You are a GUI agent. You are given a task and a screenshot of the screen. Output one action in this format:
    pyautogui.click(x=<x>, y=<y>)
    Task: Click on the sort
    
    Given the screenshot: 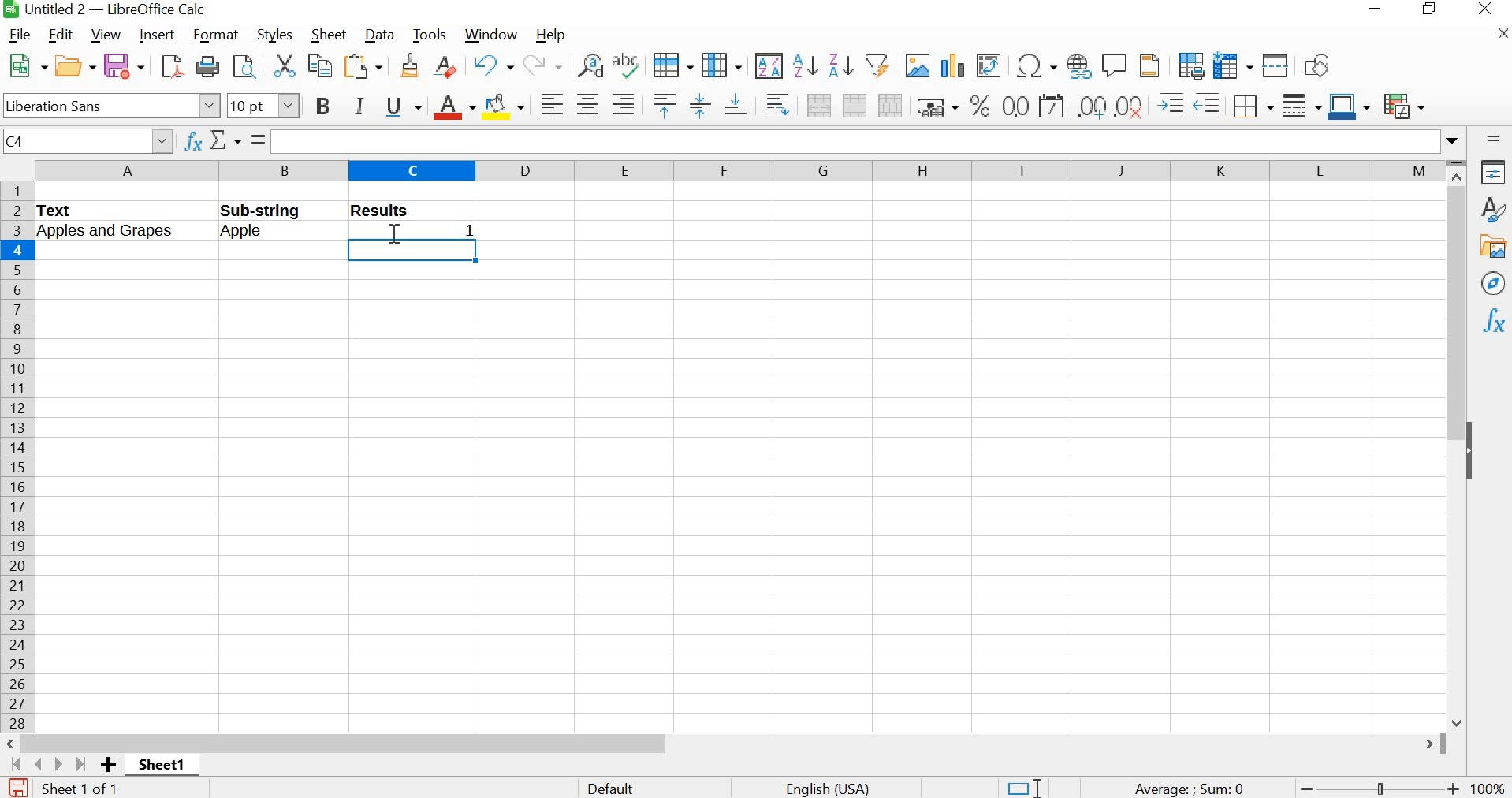 What is the action you would take?
    pyautogui.click(x=768, y=65)
    